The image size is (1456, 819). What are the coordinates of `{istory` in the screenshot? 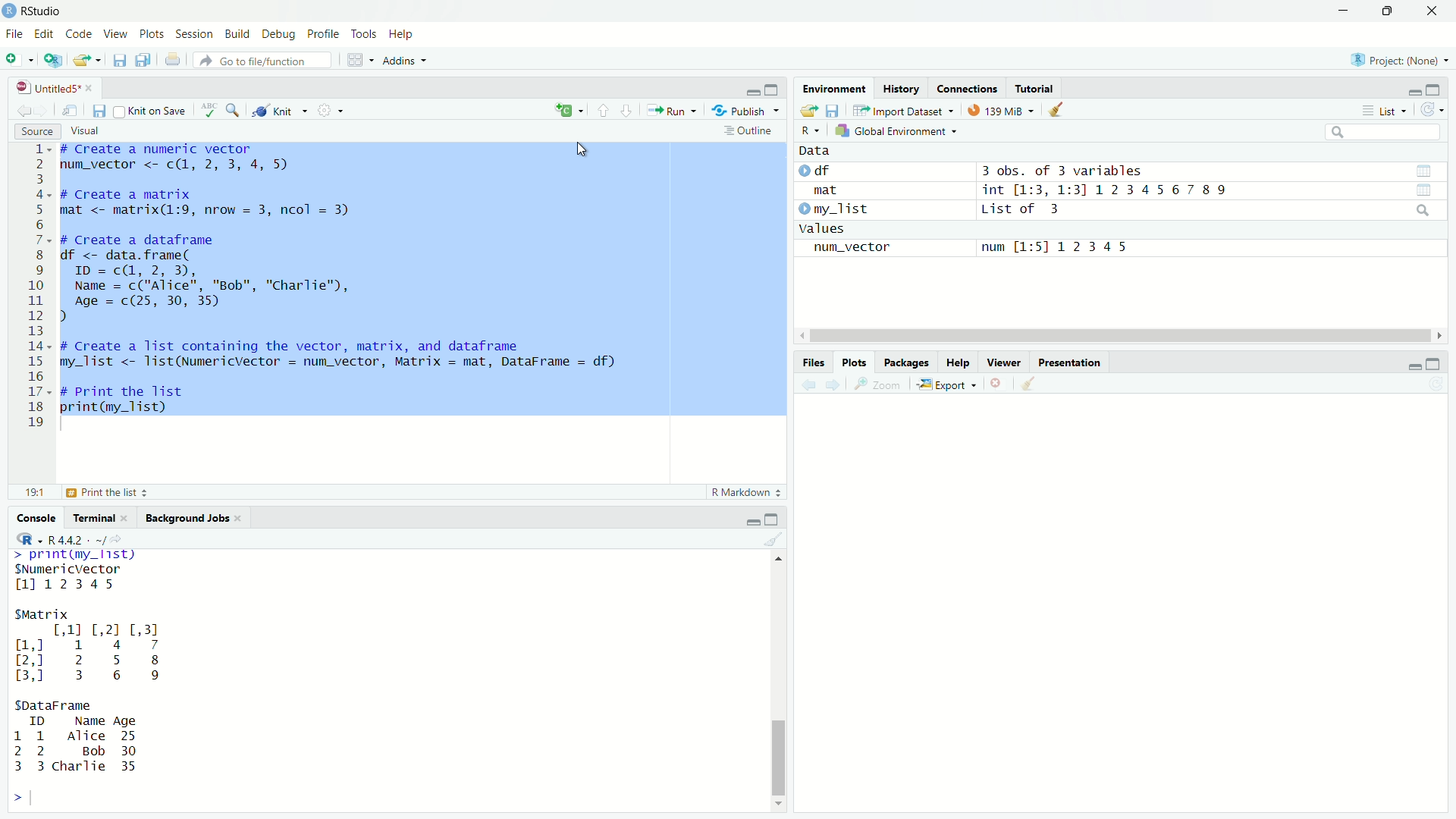 It's located at (902, 89).